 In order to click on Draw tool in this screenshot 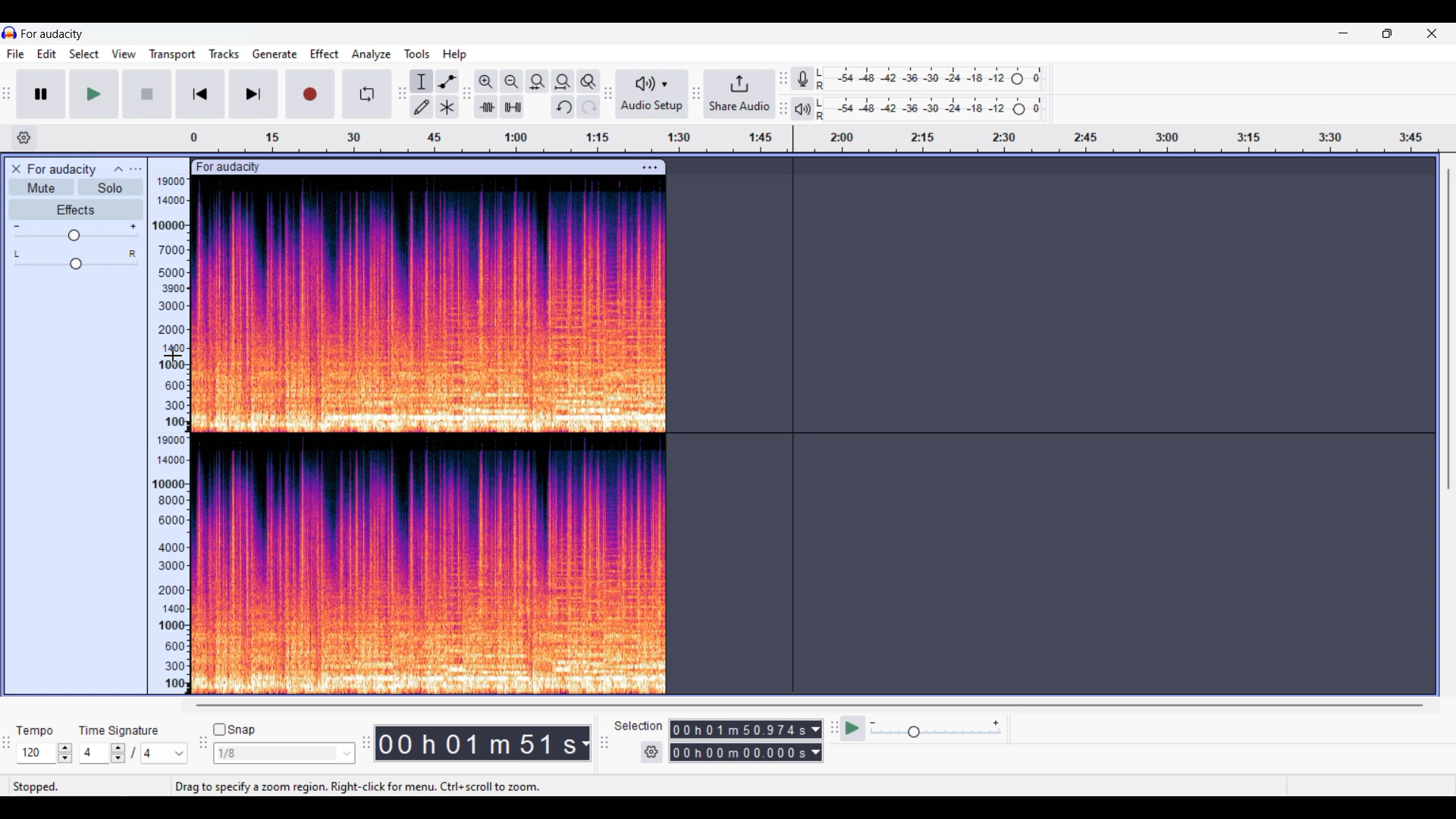, I will do `click(422, 107)`.